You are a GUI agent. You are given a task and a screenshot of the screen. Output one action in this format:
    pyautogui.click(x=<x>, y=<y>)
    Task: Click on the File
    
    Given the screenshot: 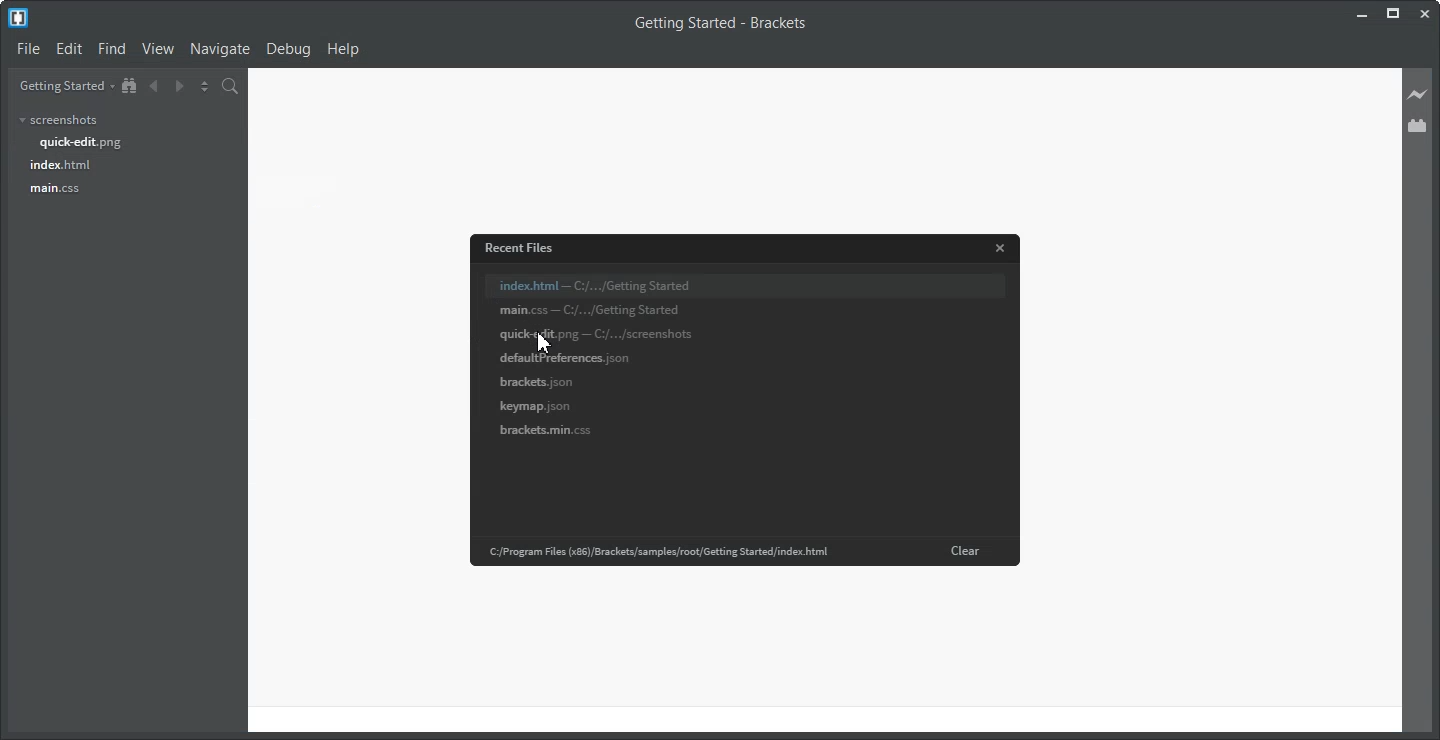 What is the action you would take?
    pyautogui.click(x=29, y=50)
    